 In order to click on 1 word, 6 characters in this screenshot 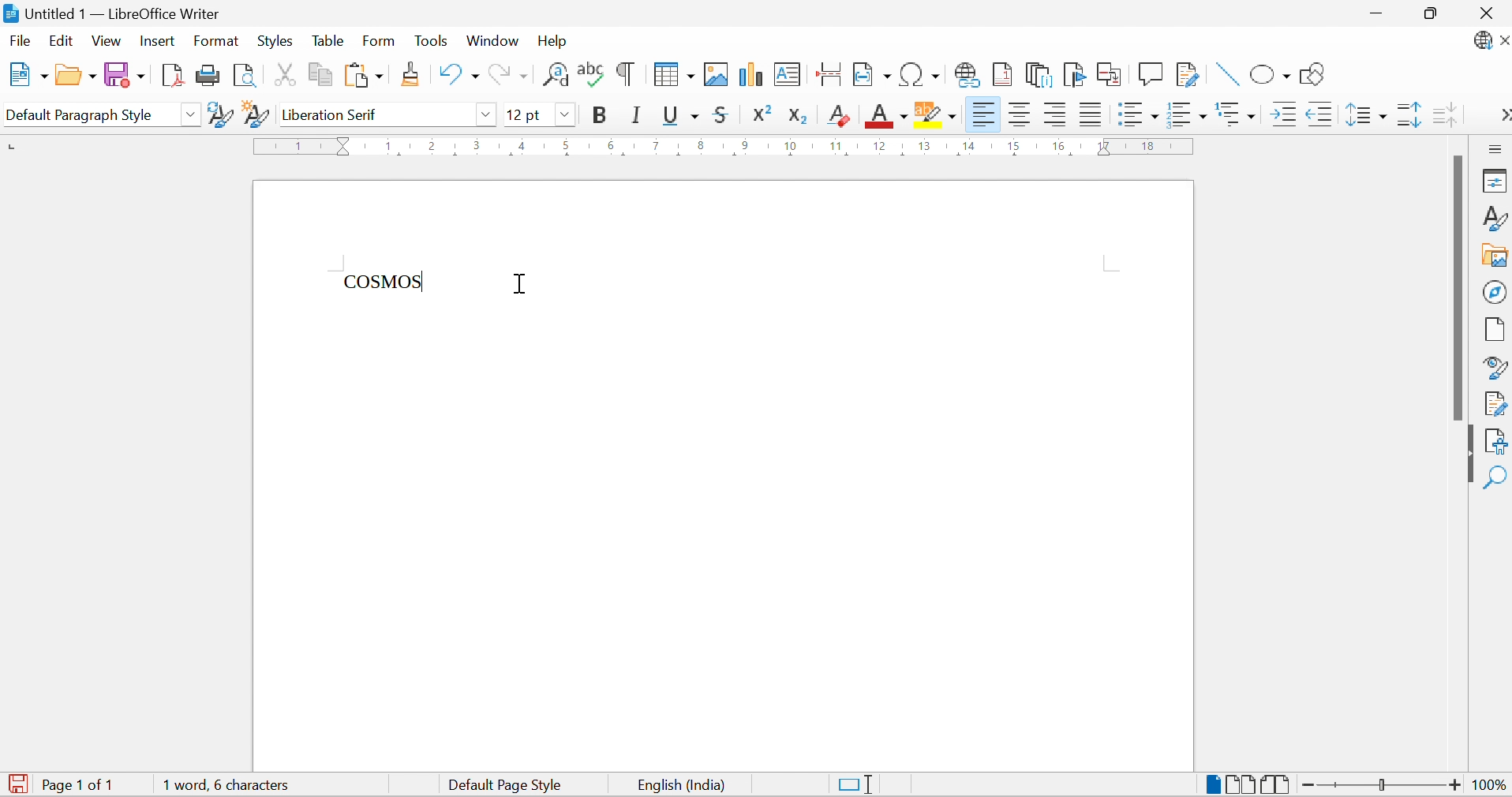, I will do `click(231, 784)`.